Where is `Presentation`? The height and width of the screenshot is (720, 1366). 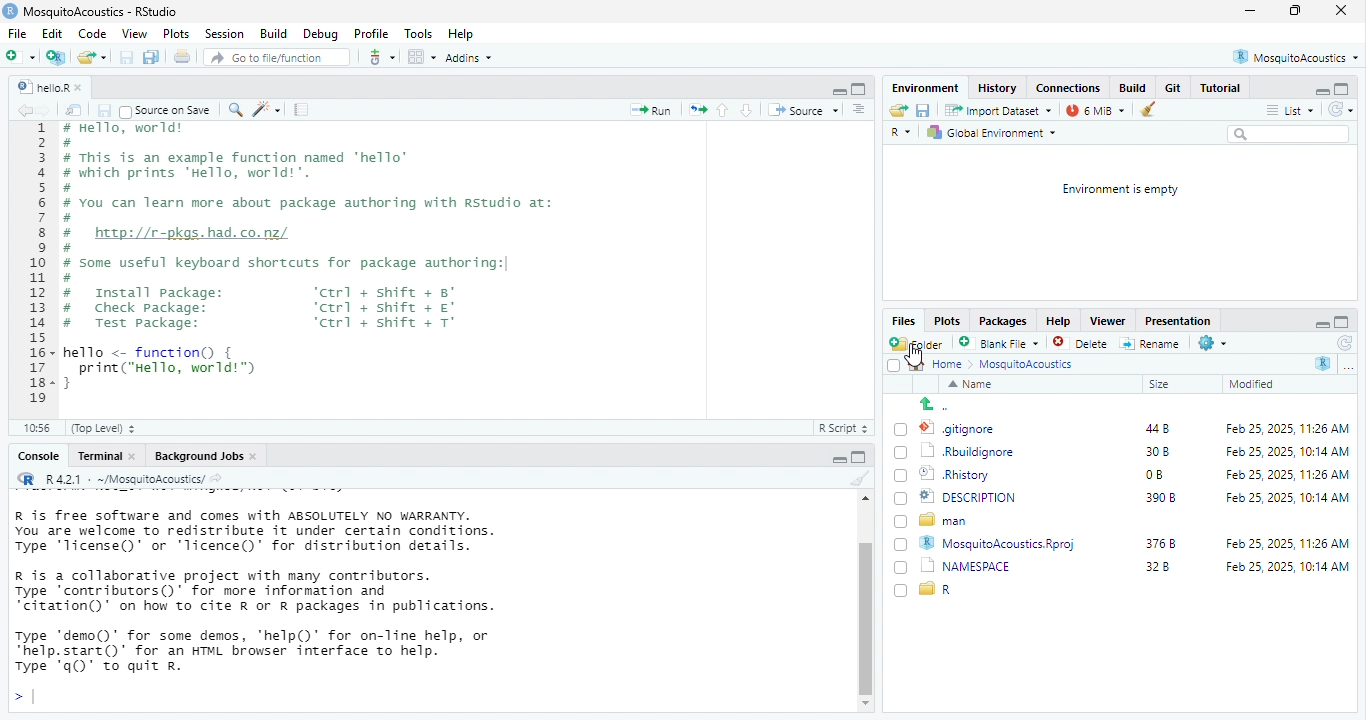 Presentation is located at coordinates (1176, 321).